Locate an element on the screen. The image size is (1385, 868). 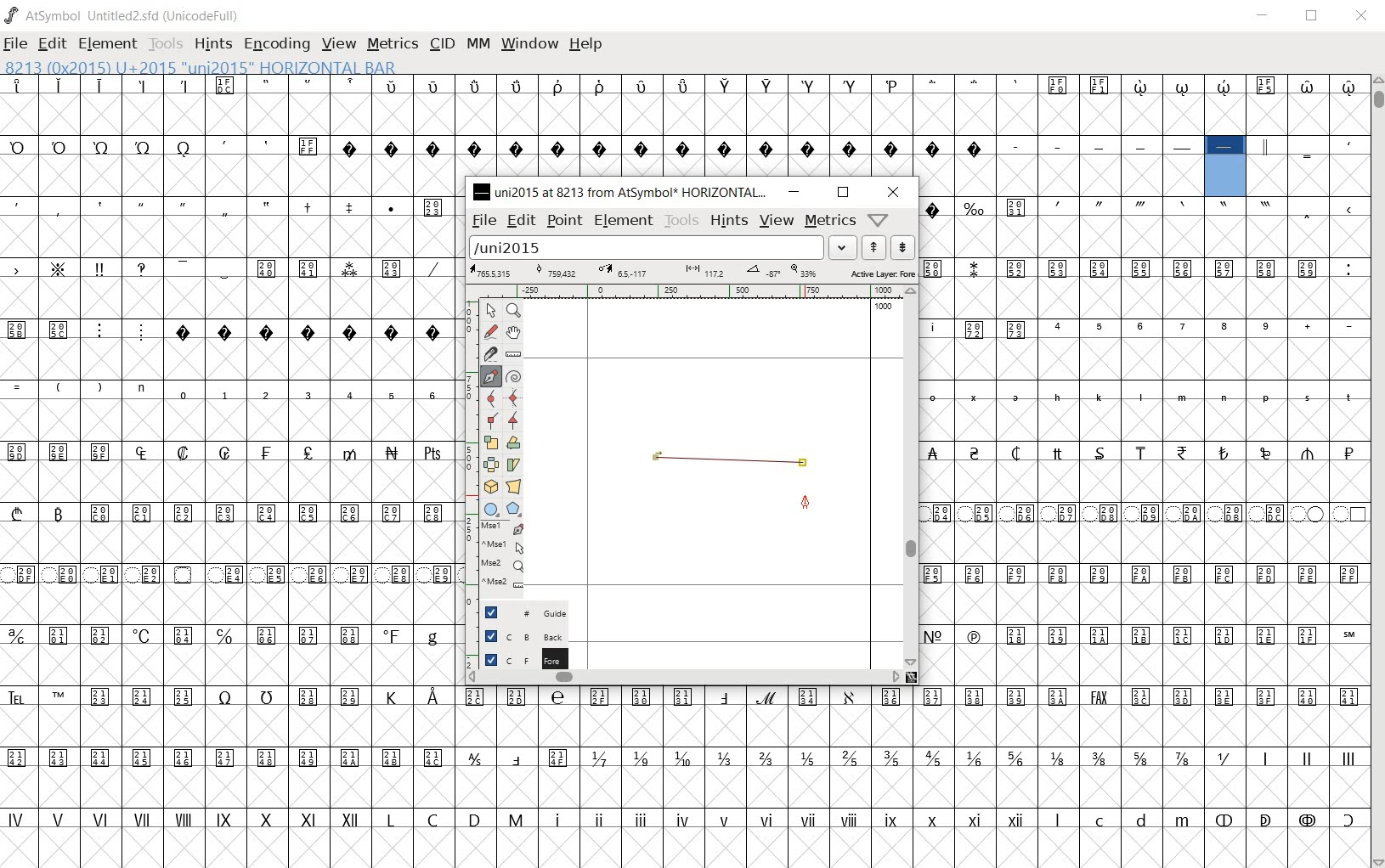
CLOSE is located at coordinates (1363, 19).